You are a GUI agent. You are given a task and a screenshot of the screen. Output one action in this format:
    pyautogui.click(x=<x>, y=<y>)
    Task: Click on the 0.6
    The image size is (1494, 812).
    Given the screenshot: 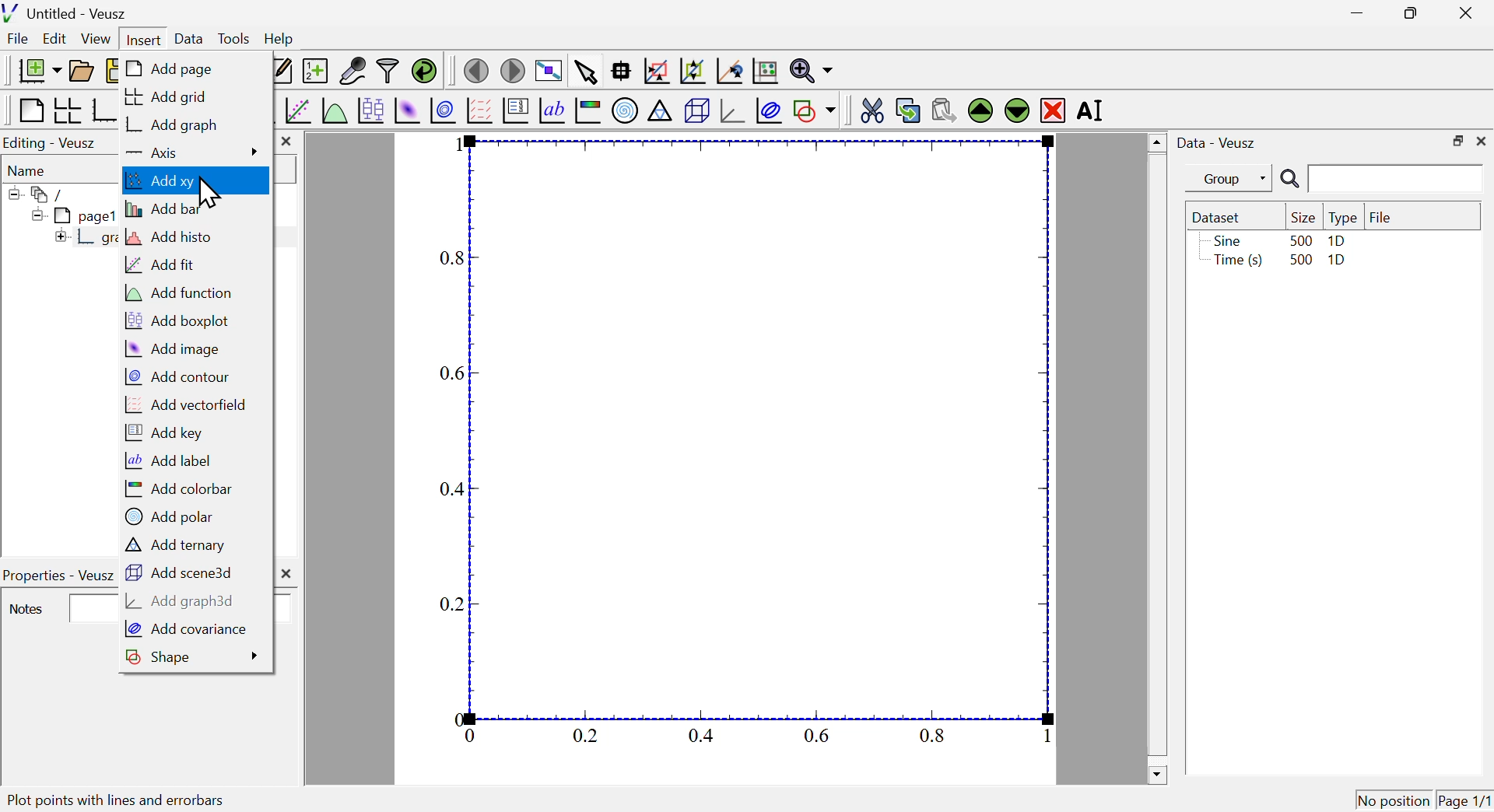 What is the action you would take?
    pyautogui.click(x=819, y=734)
    